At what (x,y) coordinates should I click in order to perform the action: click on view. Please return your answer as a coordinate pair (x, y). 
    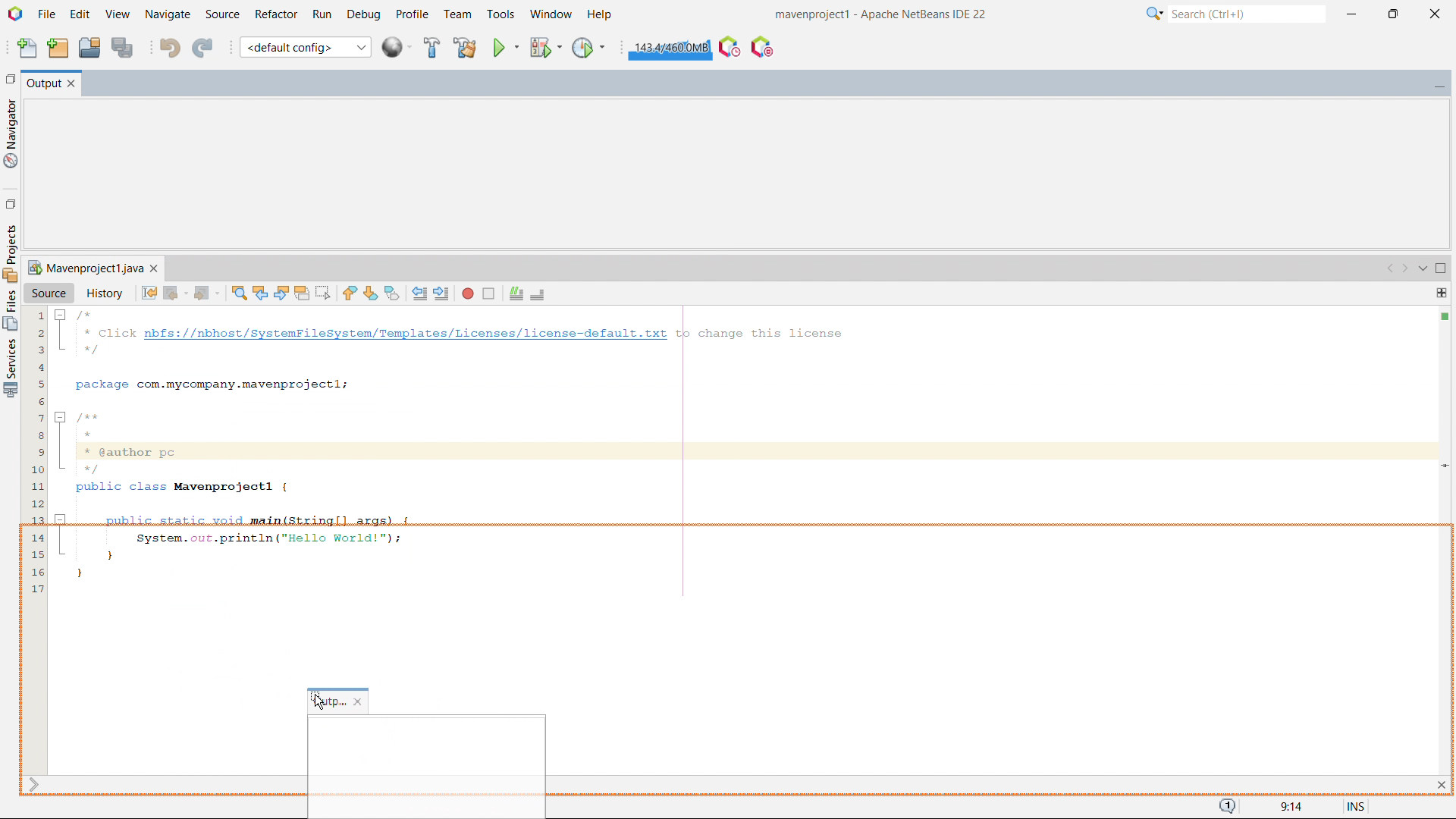
    Looking at the image, I should click on (118, 14).